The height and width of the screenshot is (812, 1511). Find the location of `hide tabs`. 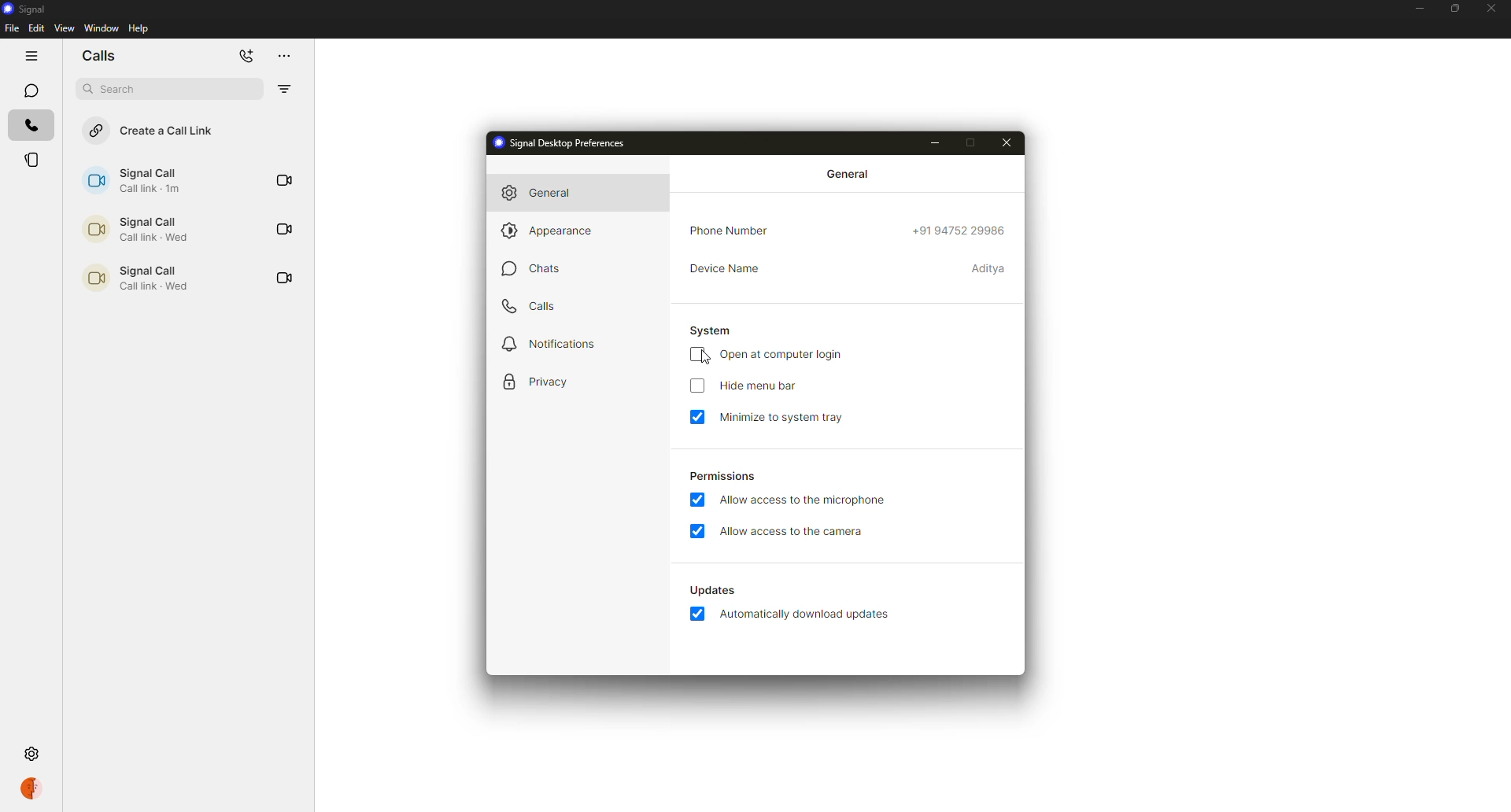

hide tabs is located at coordinates (30, 57).